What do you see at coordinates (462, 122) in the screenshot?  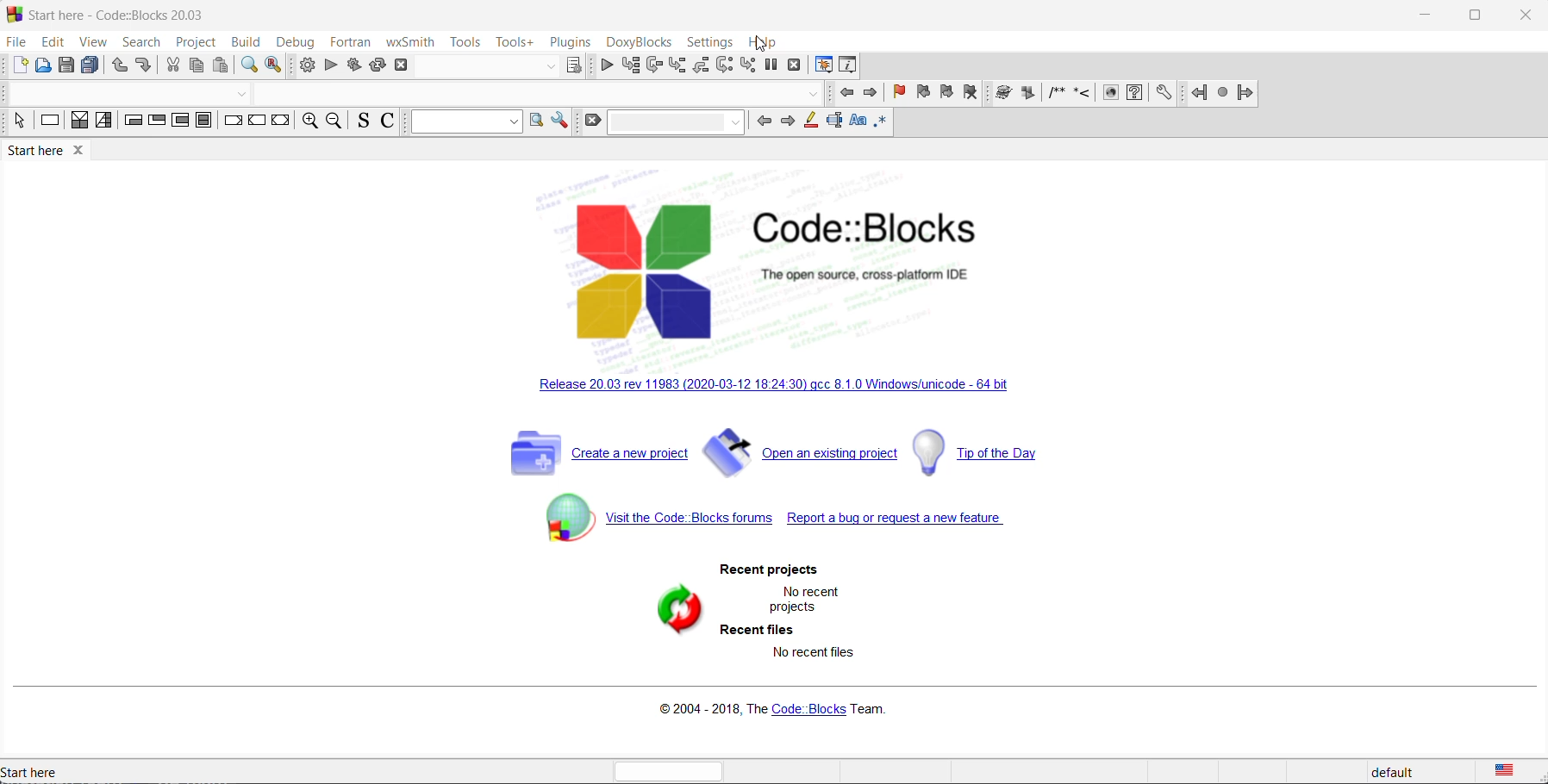 I see `dropdown` at bounding box center [462, 122].